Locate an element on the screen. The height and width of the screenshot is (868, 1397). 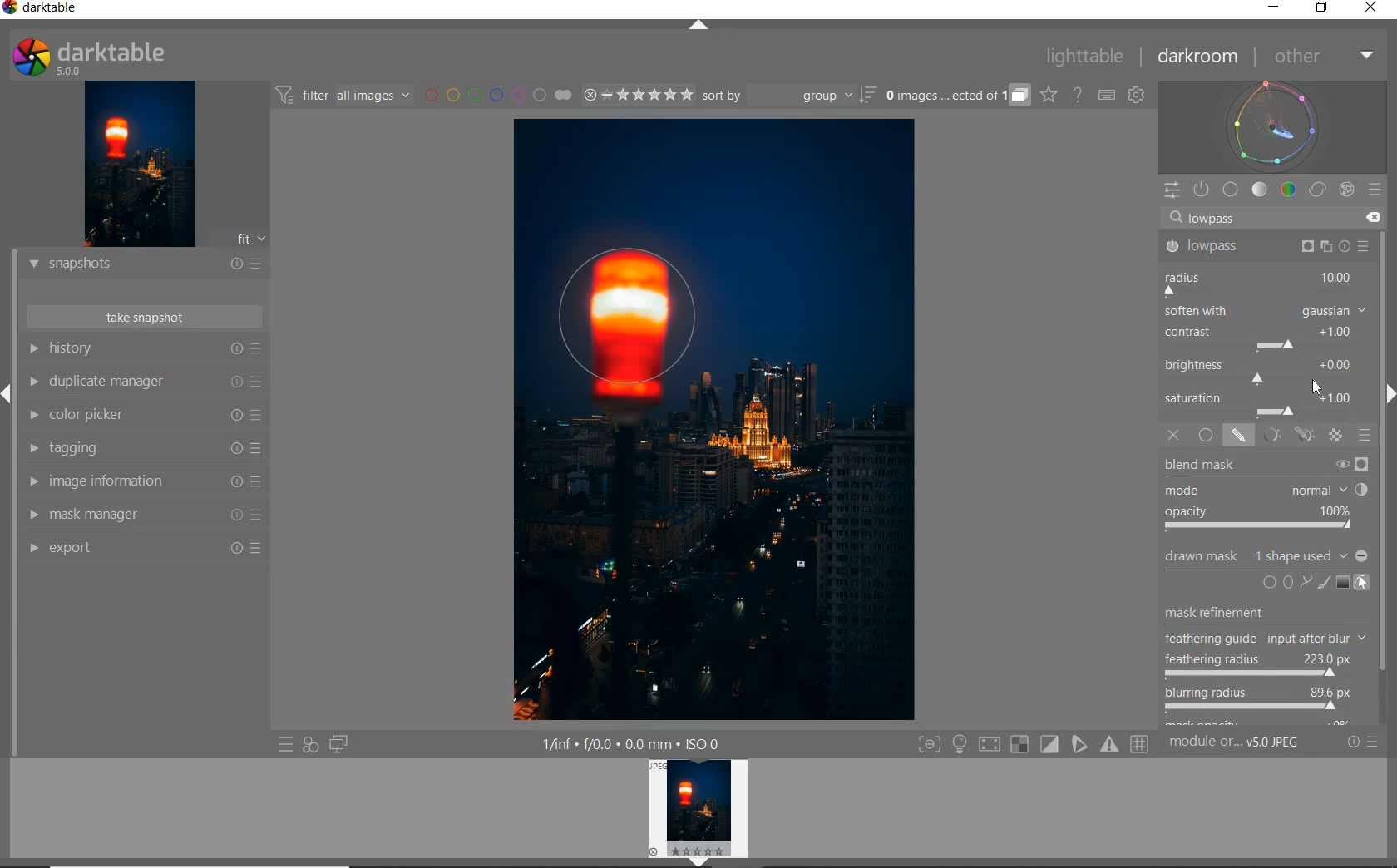
DUPLICATE MANAGER is located at coordinates (147, 383).